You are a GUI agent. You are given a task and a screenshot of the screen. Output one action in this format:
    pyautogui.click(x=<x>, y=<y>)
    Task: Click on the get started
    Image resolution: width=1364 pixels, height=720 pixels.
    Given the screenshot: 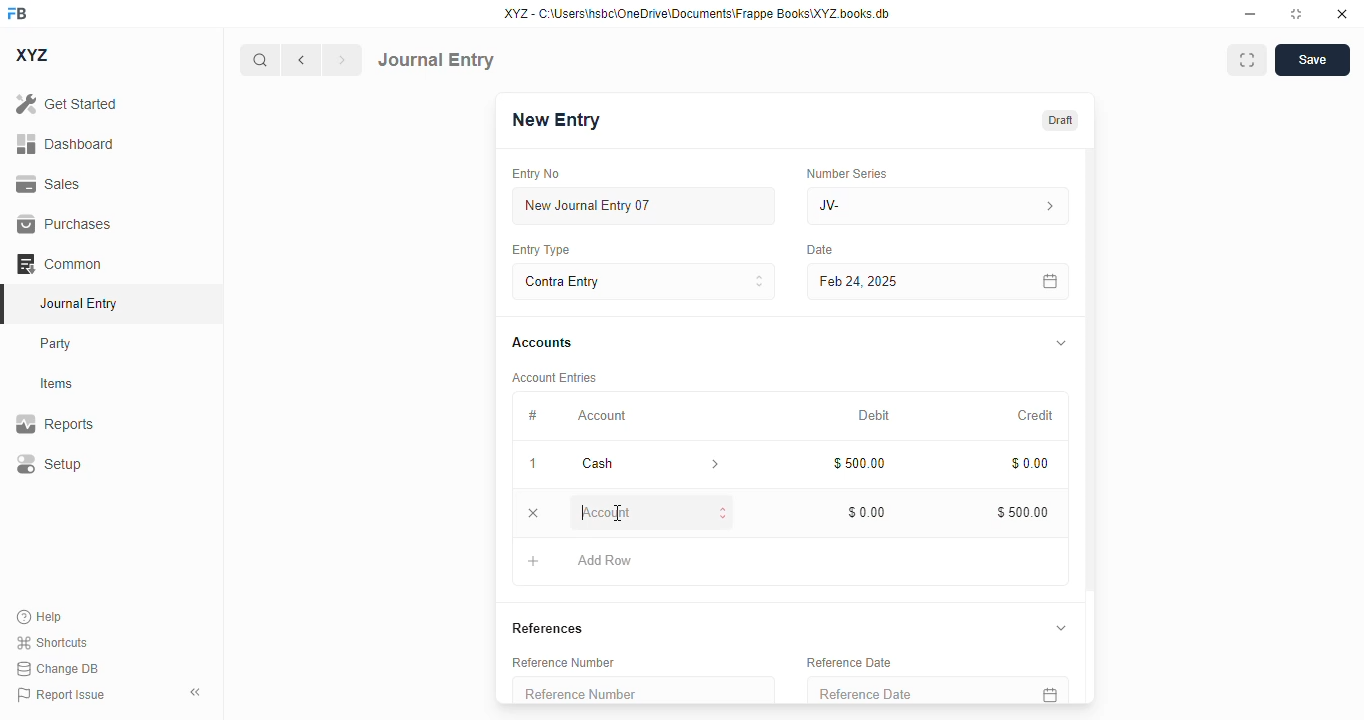 What is the action you would take?
    pyautogui.click(x=67, y=104)
    